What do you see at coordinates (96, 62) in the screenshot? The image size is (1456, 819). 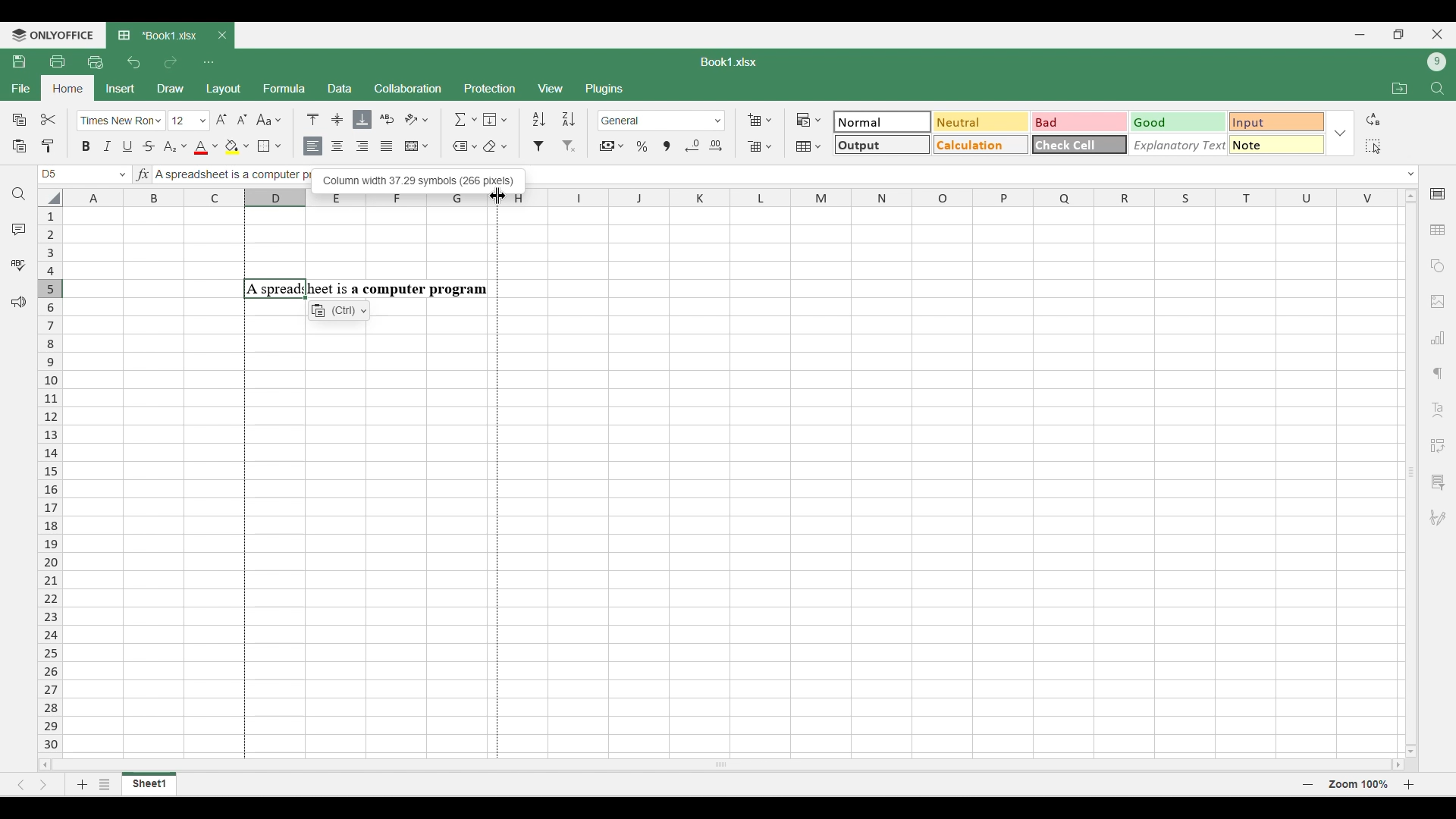 I see `Quick print` at bounding box center [96, 62].